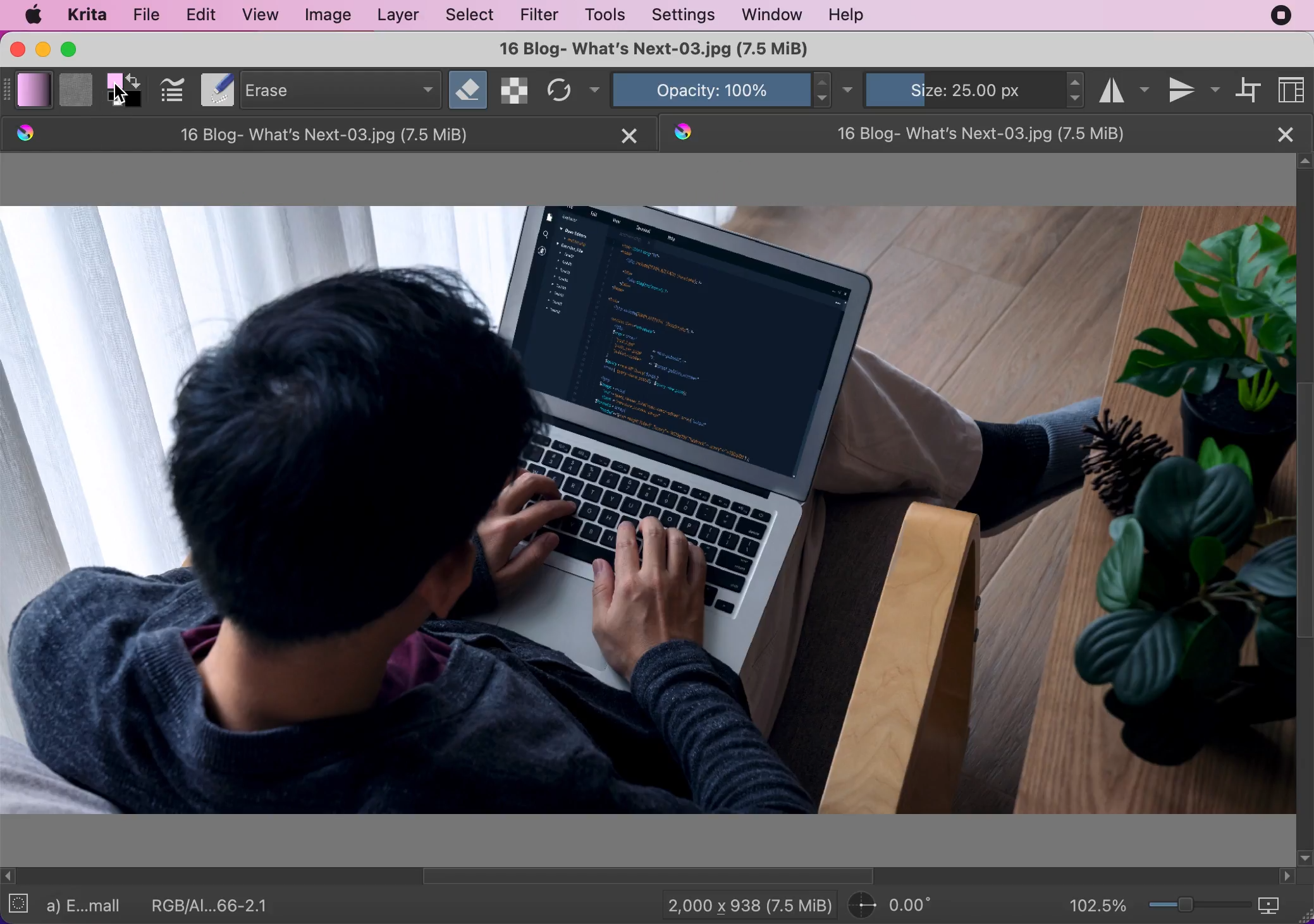 The image size is (1314, 924). Describe the element at coordinates (126, 88) in the screenshot. I see `foreground and background color selector` at that location.